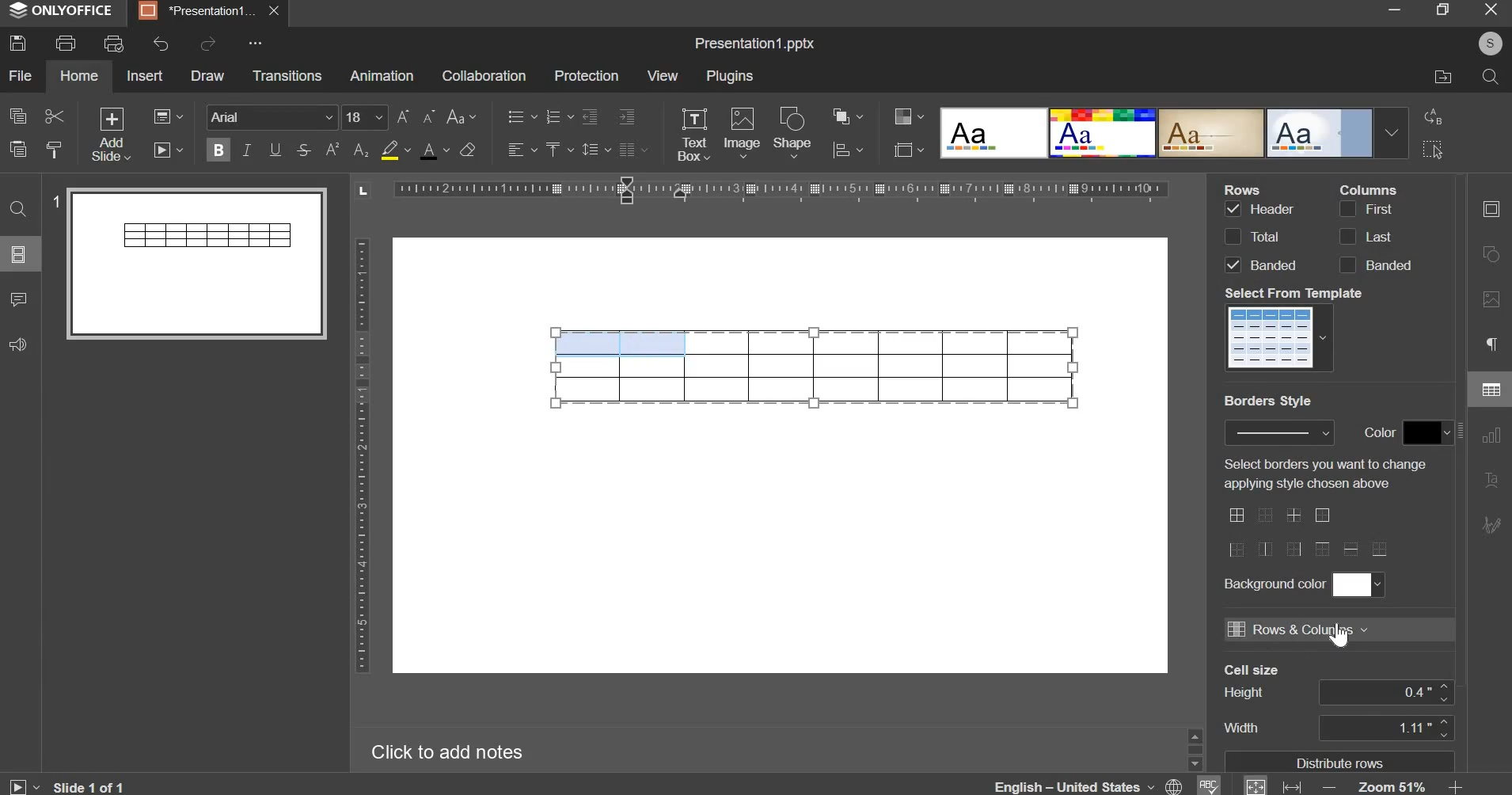 This screenshot has height=795, width=1512. I want to click on font size, so click(389, 117).